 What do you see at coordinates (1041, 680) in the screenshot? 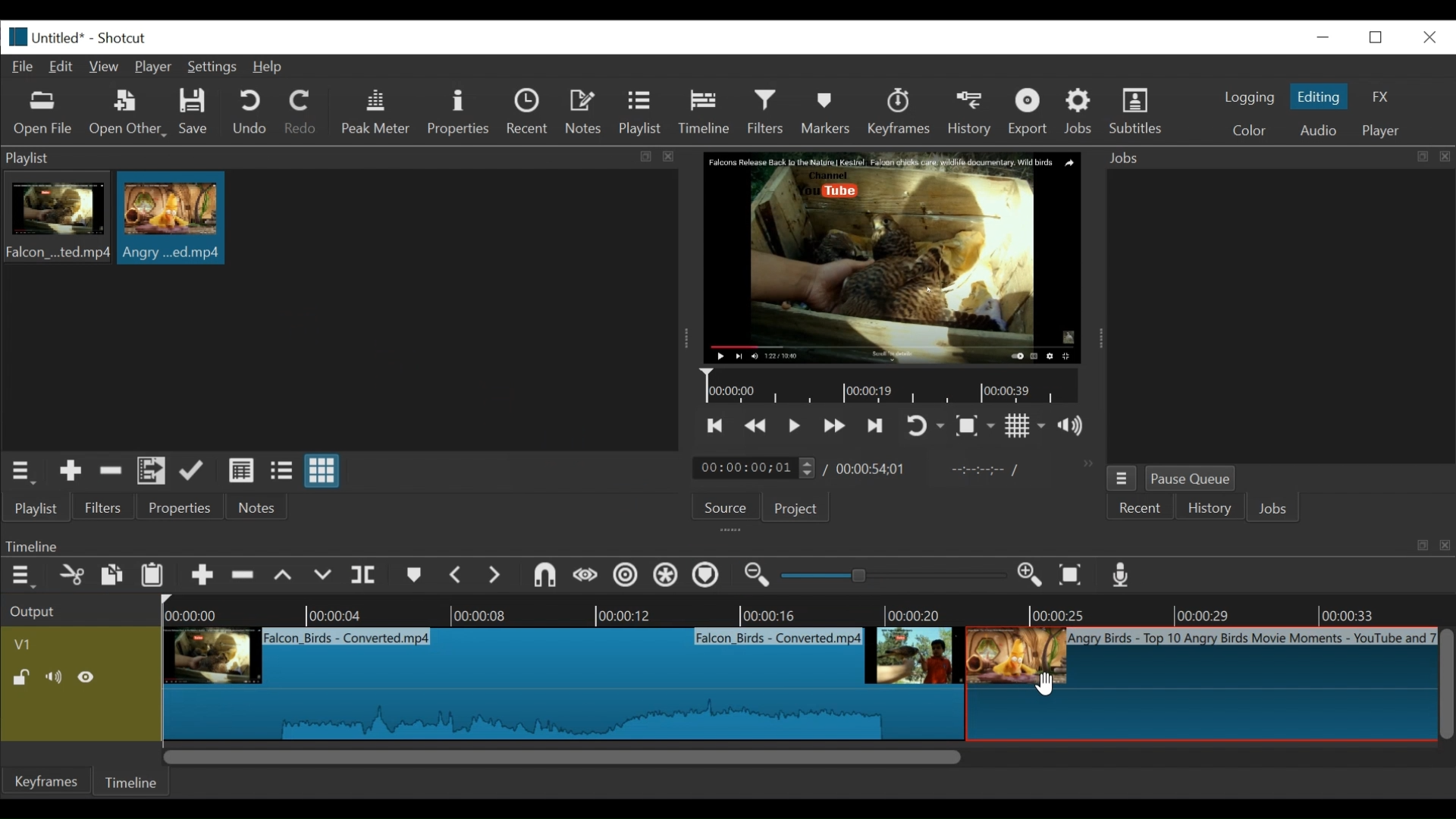
I see `cursor` at bounding box center [1041, 680].